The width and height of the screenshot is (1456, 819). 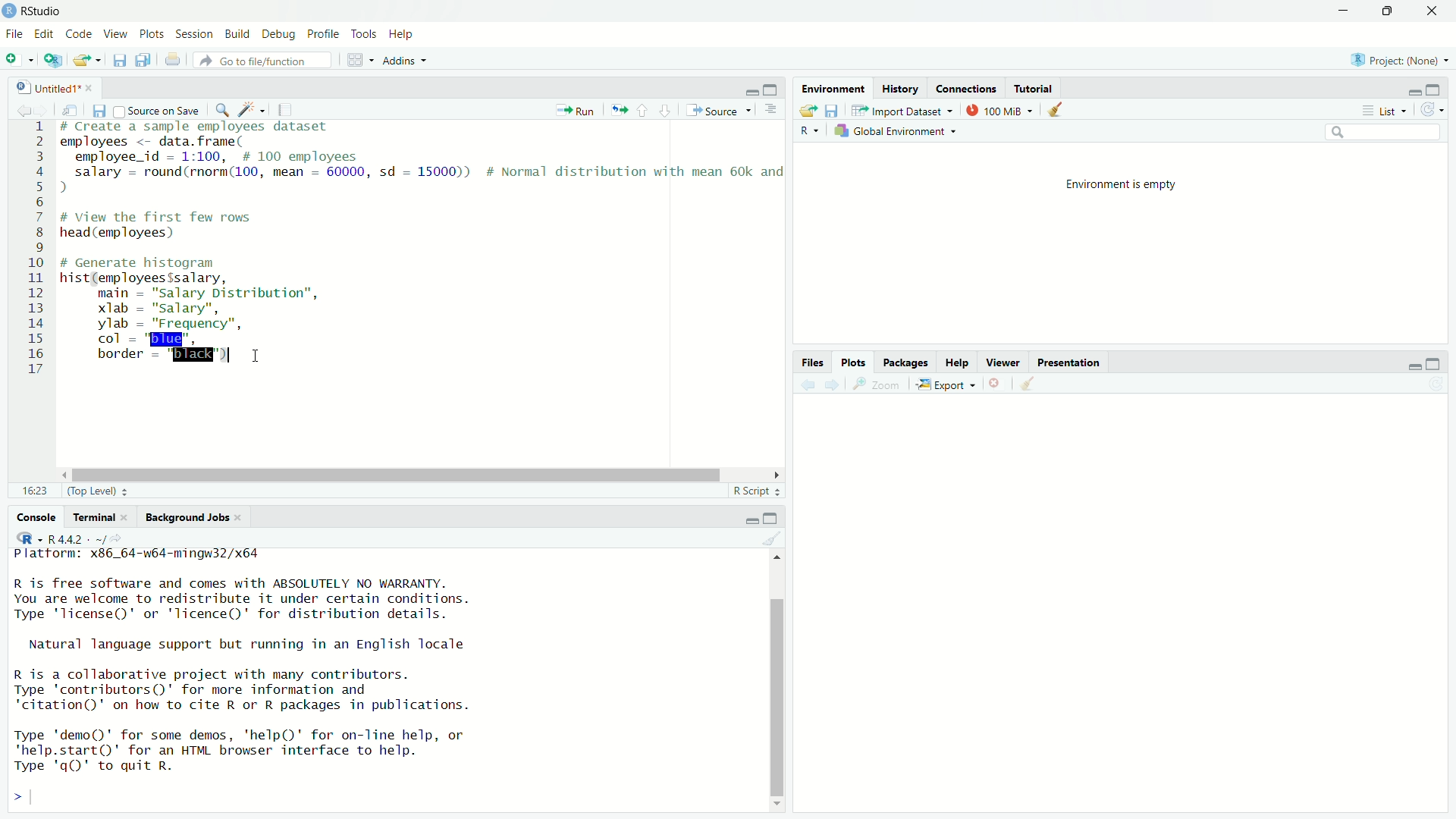 What do you see at coordinates (770, 518) in the screenshot?
I see `Maximise ` at bounding box center [770, 518].